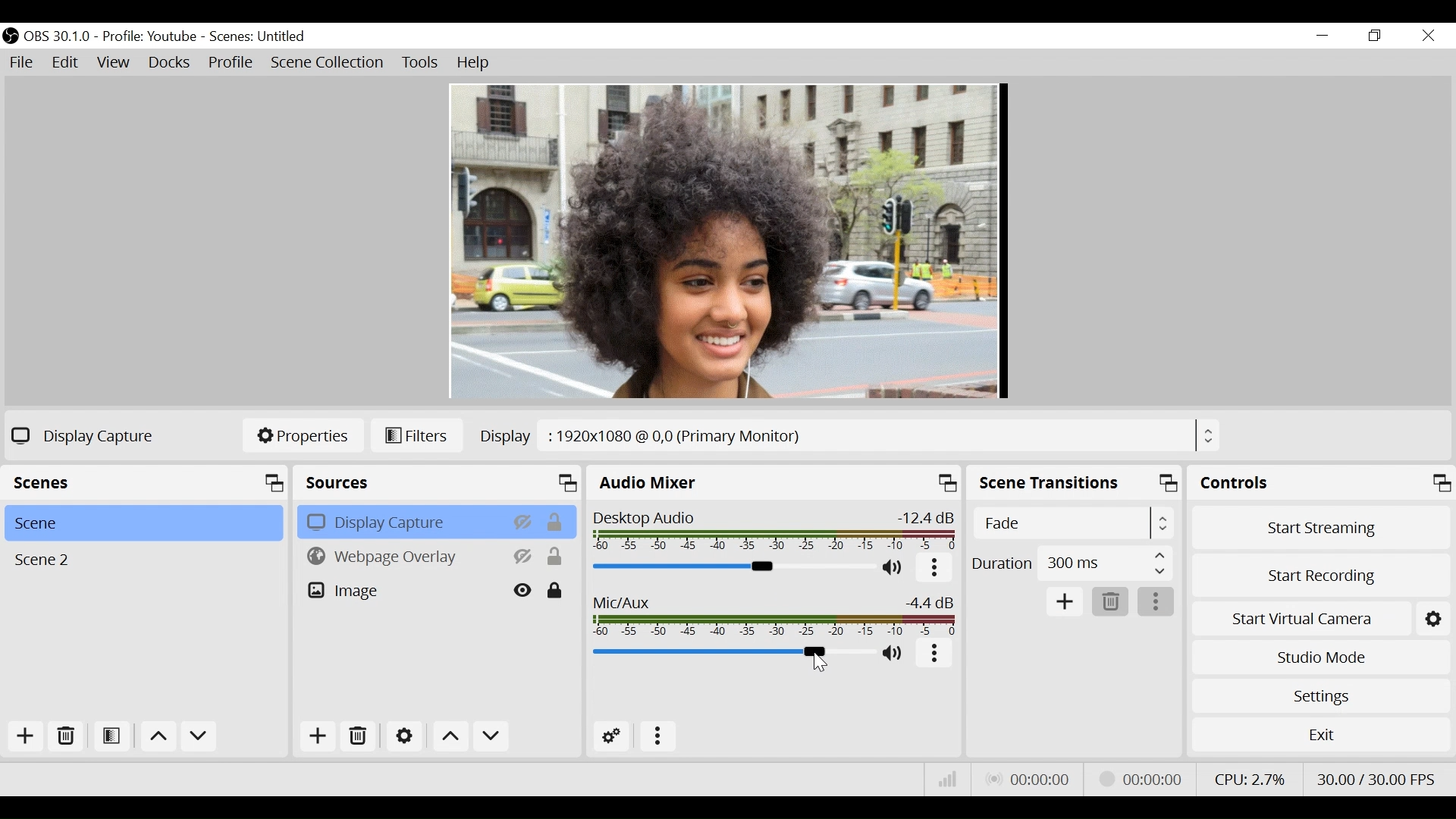  What do you see at coordinates (474, 63) in the screenshot?
I see `Help` at bounding box center [474, 63].